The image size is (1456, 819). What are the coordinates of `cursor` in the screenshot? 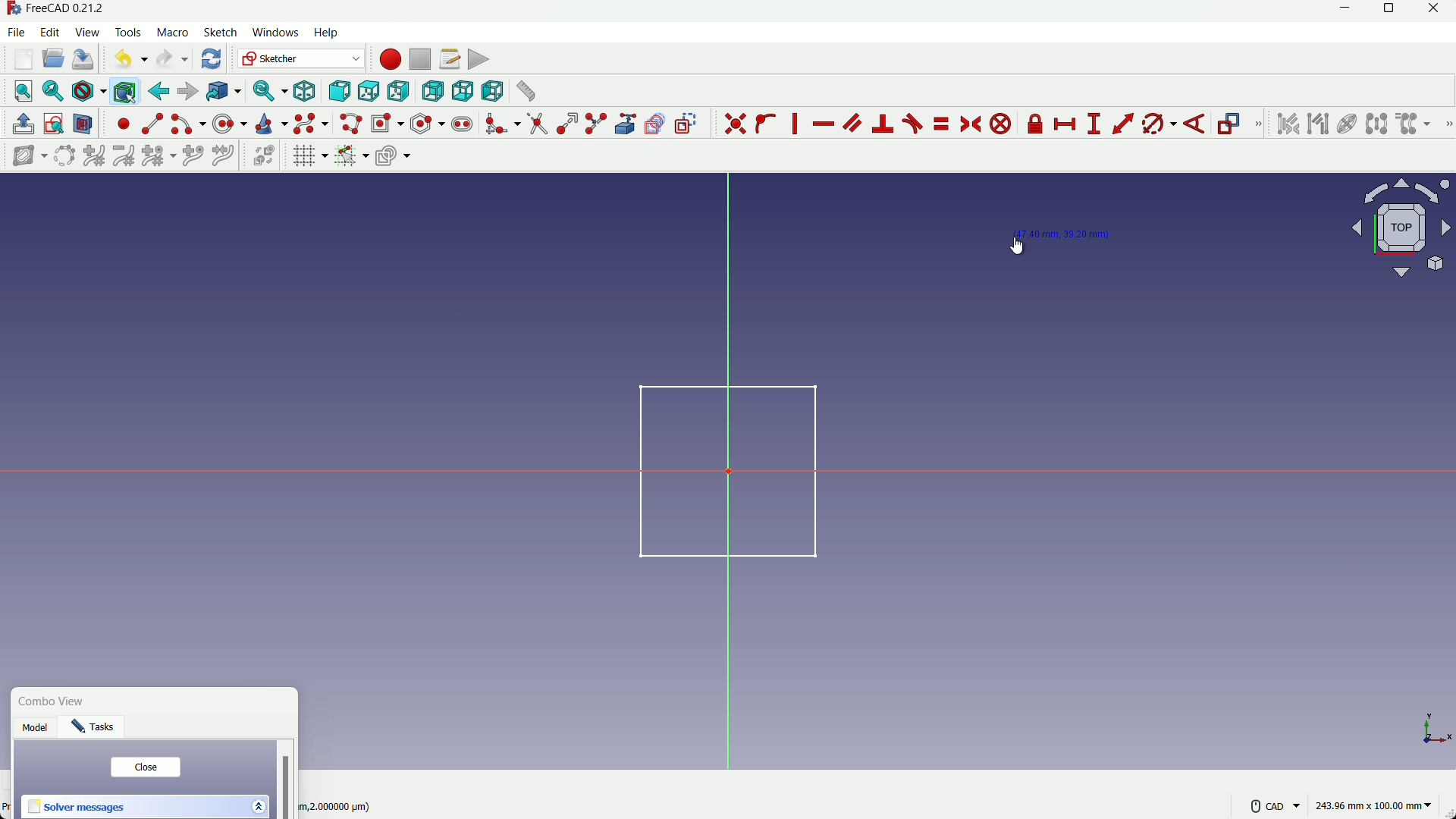 It's located at (1020, 245).